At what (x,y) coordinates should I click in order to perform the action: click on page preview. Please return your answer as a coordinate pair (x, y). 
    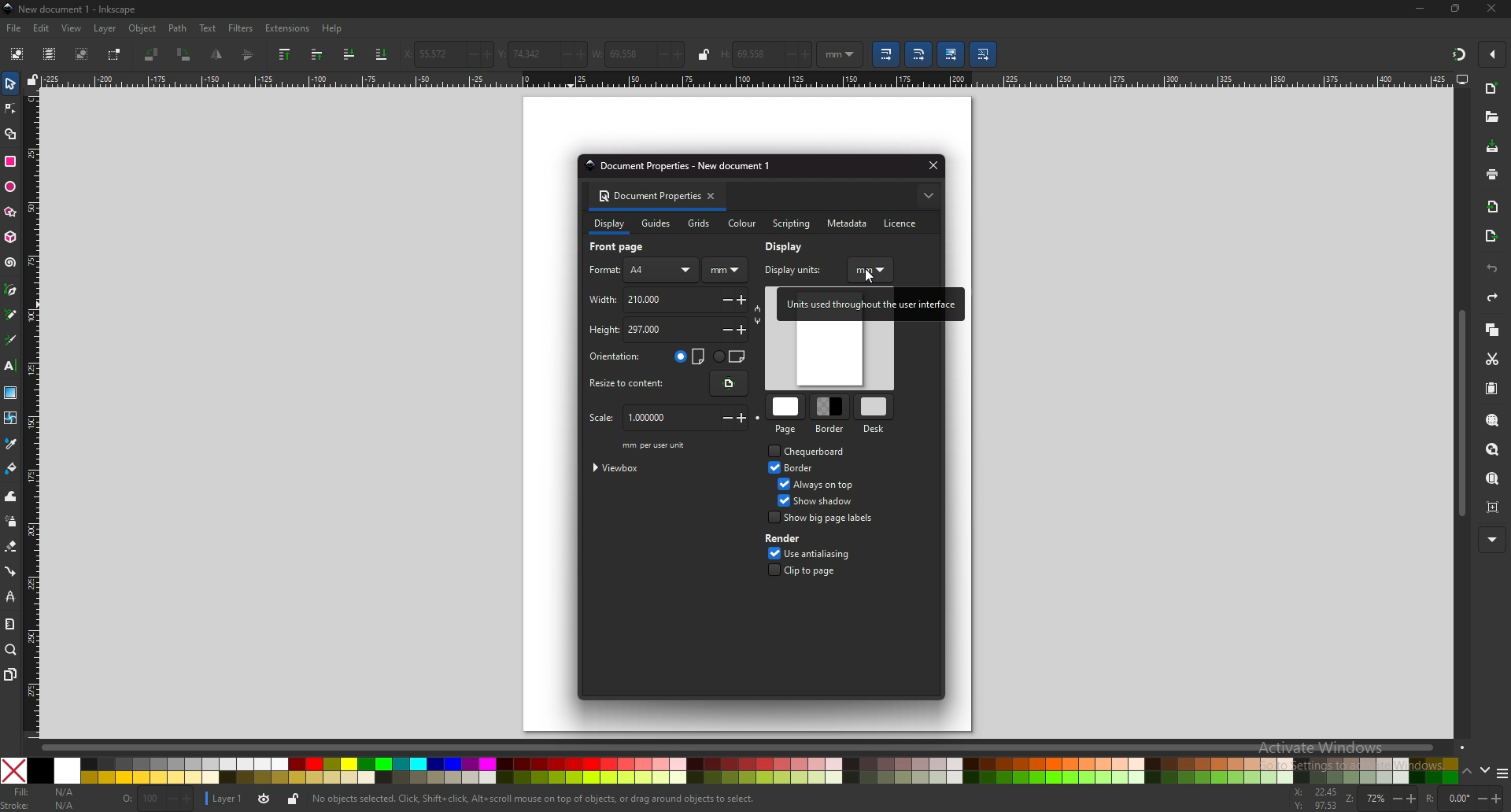
    Looking at the image, I should click on (829, 356).